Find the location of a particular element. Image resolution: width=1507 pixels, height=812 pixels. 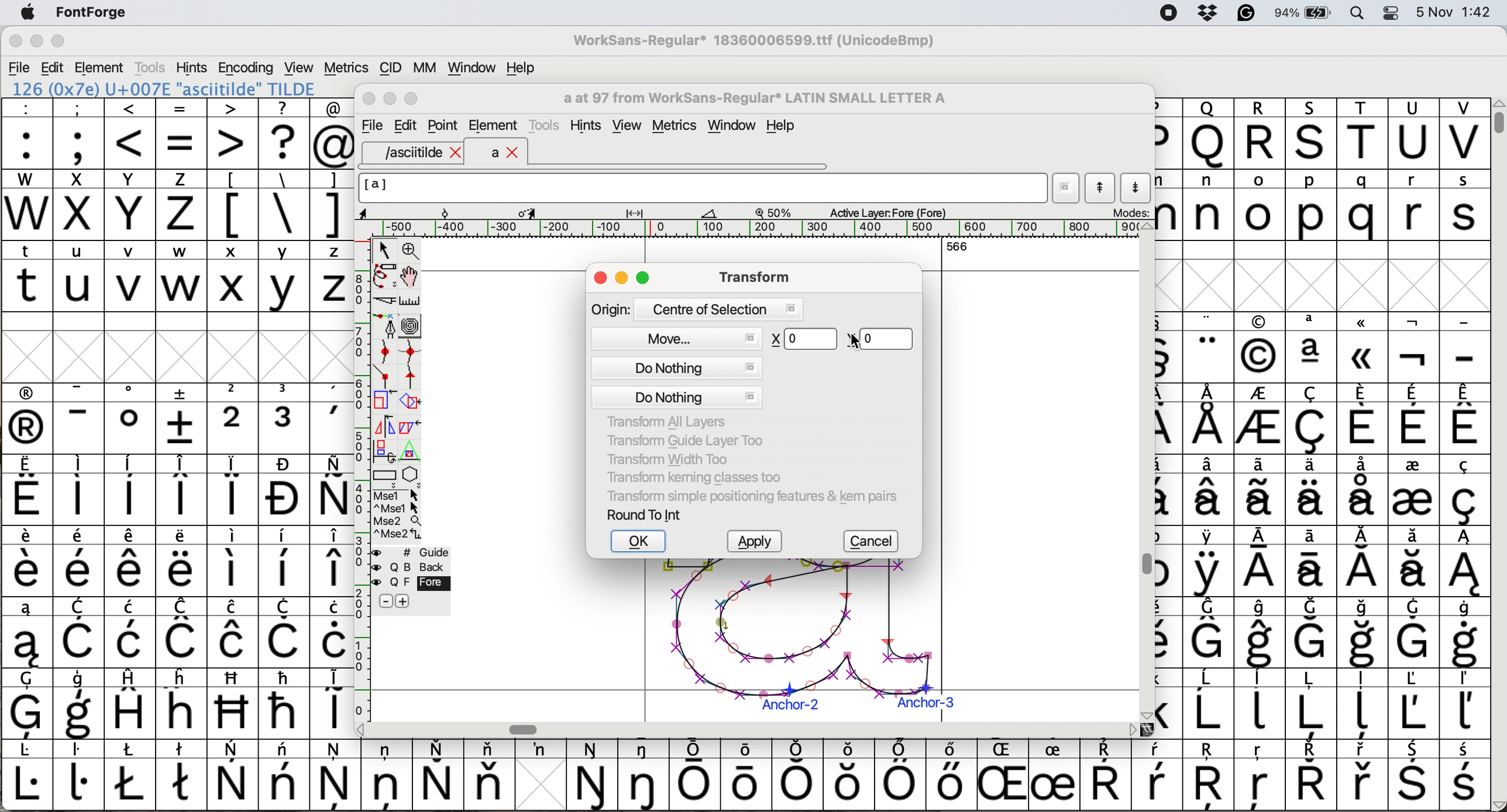

show previous letter is located at coordinates (1100, 188).